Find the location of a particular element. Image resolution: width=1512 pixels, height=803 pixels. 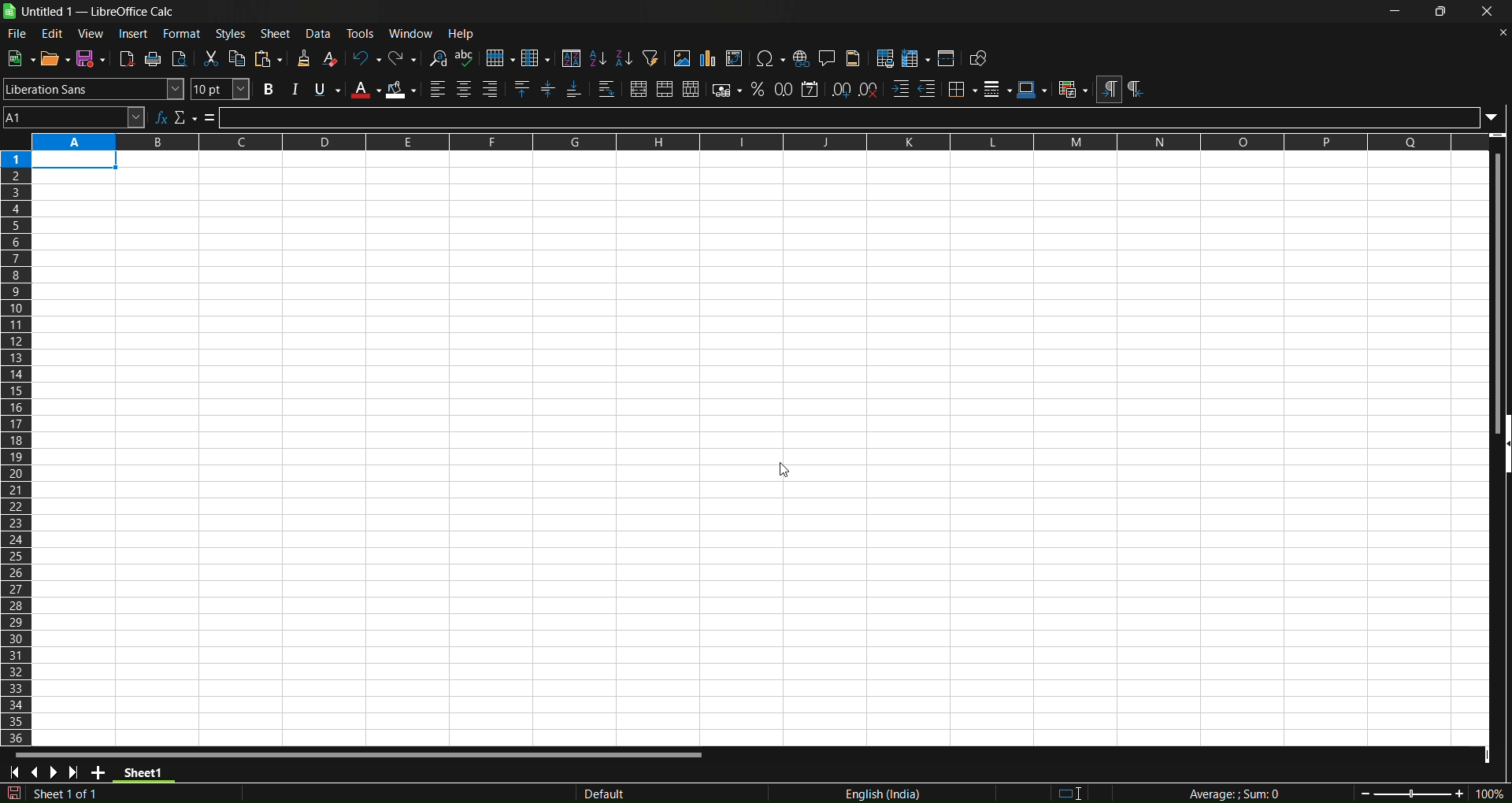

selected cells is located at coordinates (75, 161).